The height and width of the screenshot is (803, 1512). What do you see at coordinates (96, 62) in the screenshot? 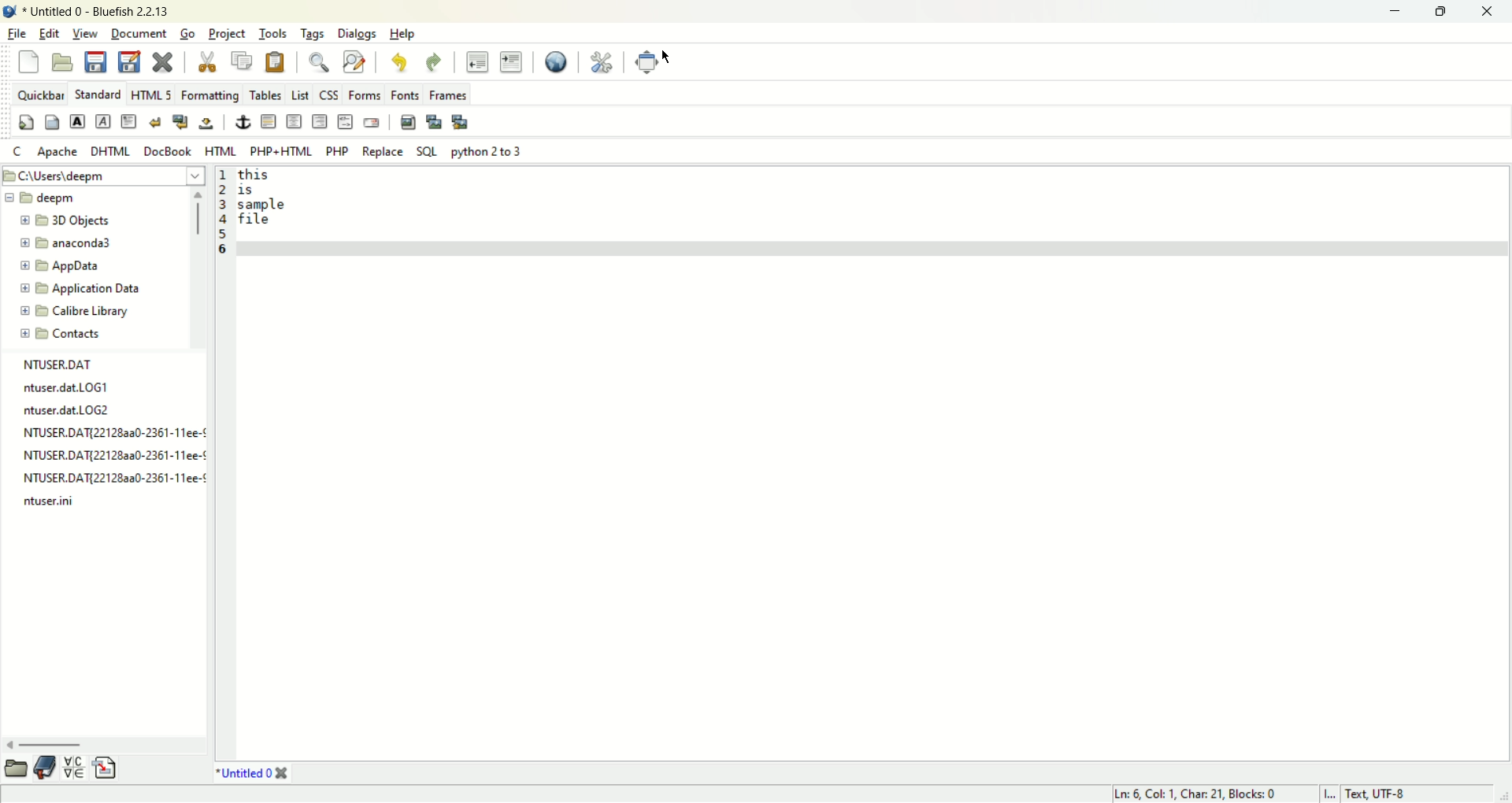
I see `save current file` at bounding box center [96, 62].